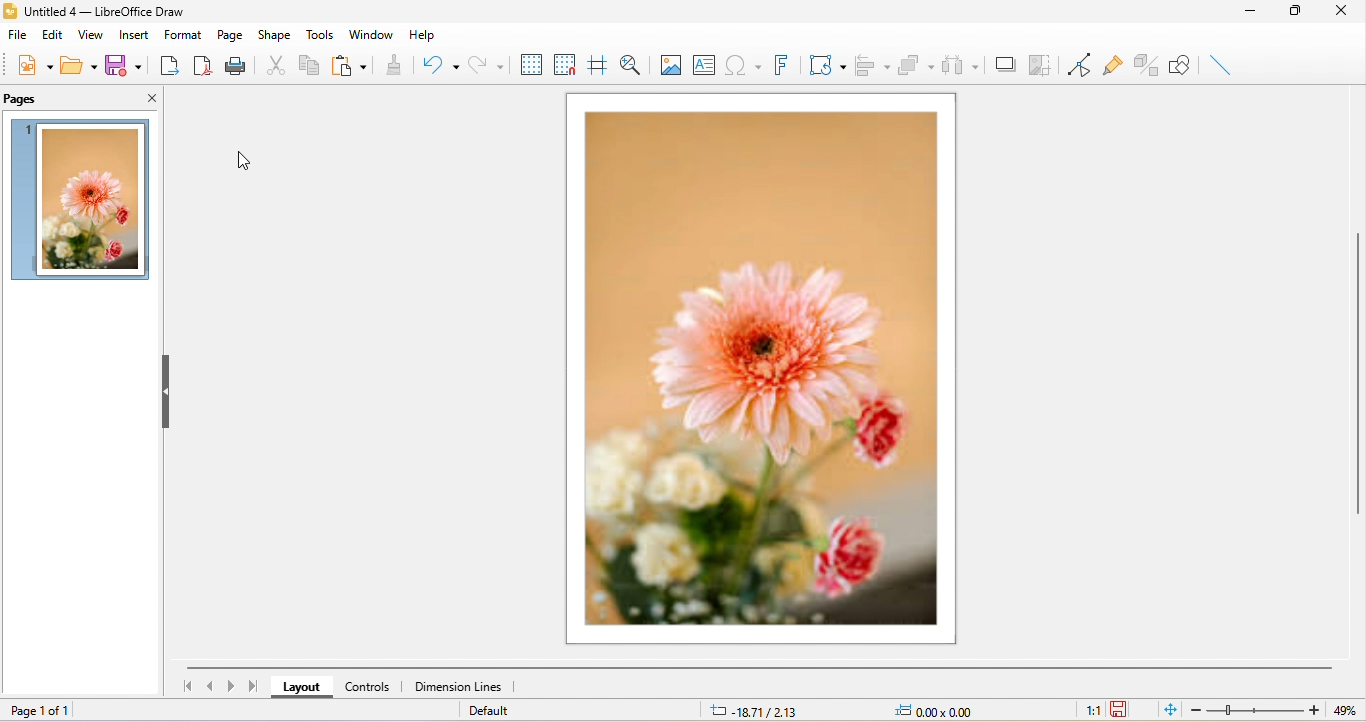 The height and width of the screenshot is (722, 1366). Describe the element at coordinates (125, 69) in the screenshot. I see `save` at that location.